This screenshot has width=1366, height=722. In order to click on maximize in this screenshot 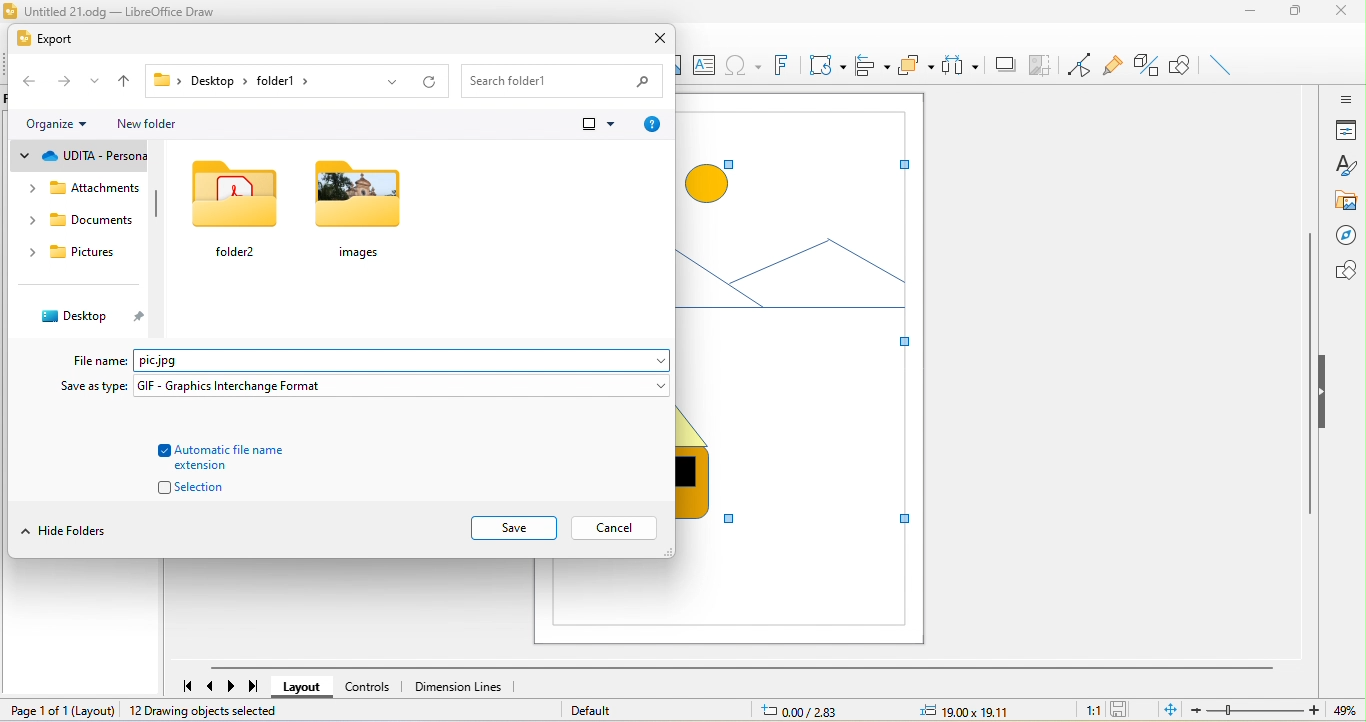, I will do `click(1293, 15)`.